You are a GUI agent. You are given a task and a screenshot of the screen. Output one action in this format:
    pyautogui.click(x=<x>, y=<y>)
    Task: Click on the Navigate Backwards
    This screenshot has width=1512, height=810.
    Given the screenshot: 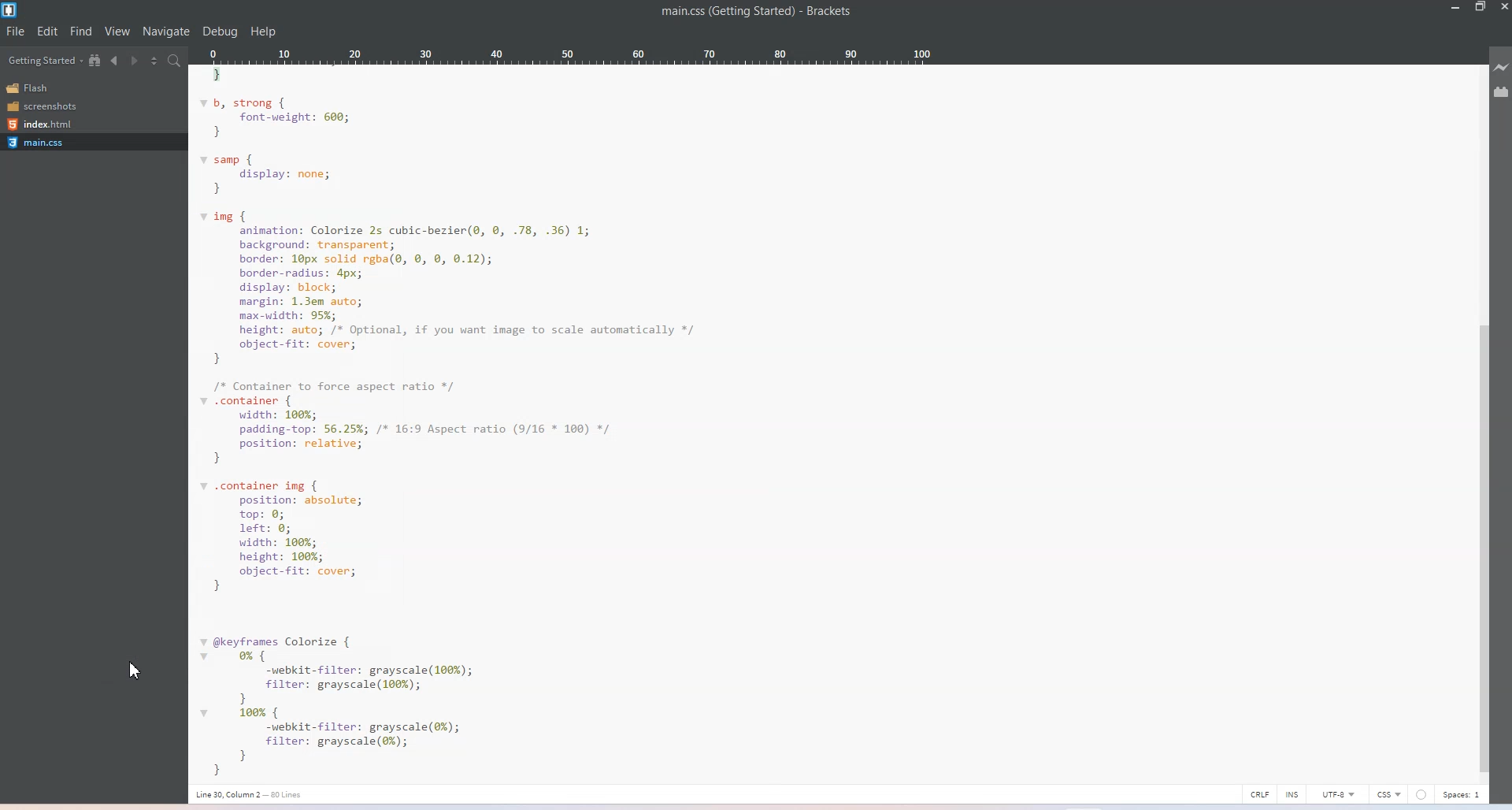 What is the action you would take?
    pyautogui.click(x=115, y=60)
    